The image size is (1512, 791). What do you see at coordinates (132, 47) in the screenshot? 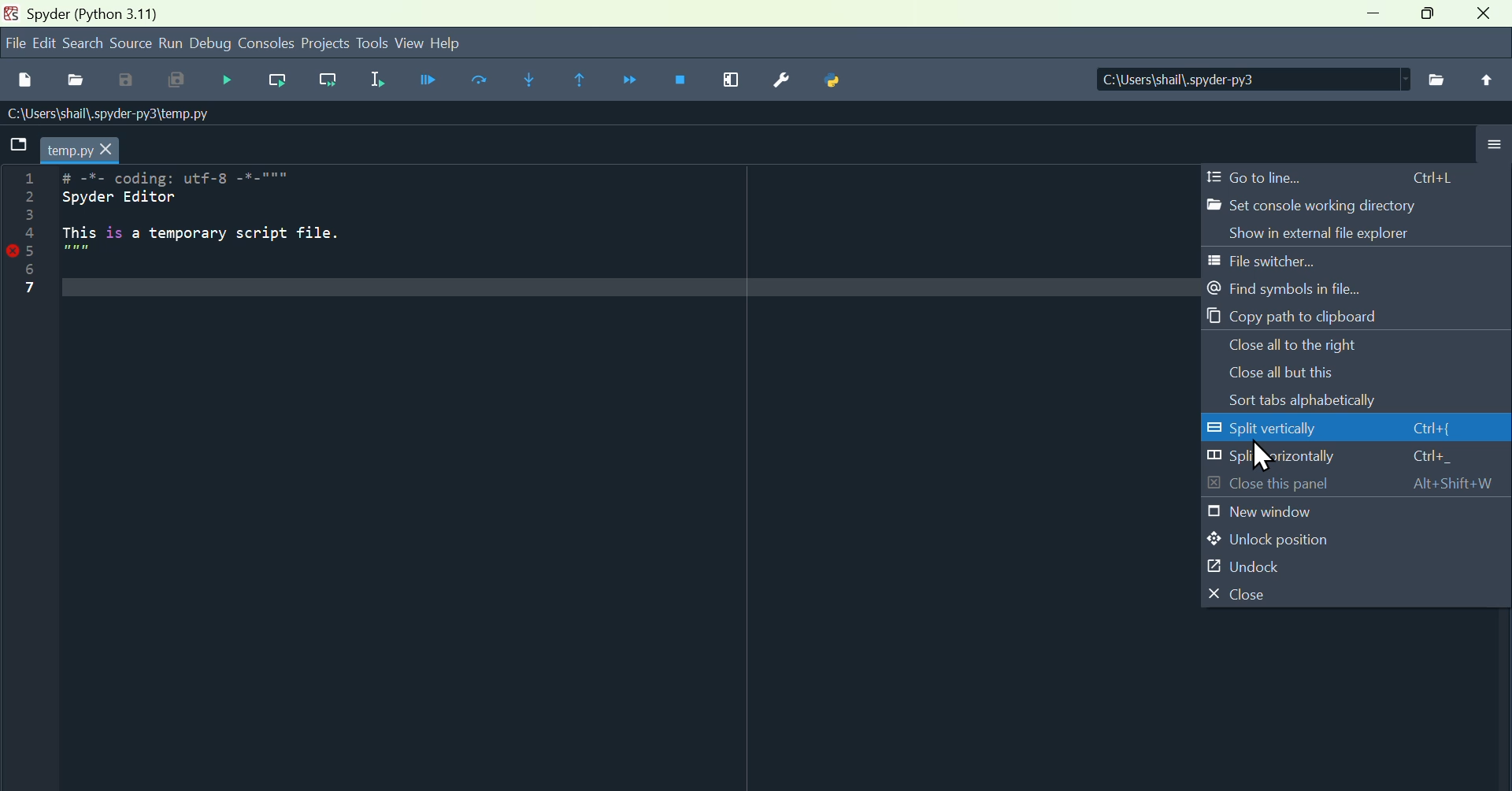
I see `Source` at bounding box center [132, 47].